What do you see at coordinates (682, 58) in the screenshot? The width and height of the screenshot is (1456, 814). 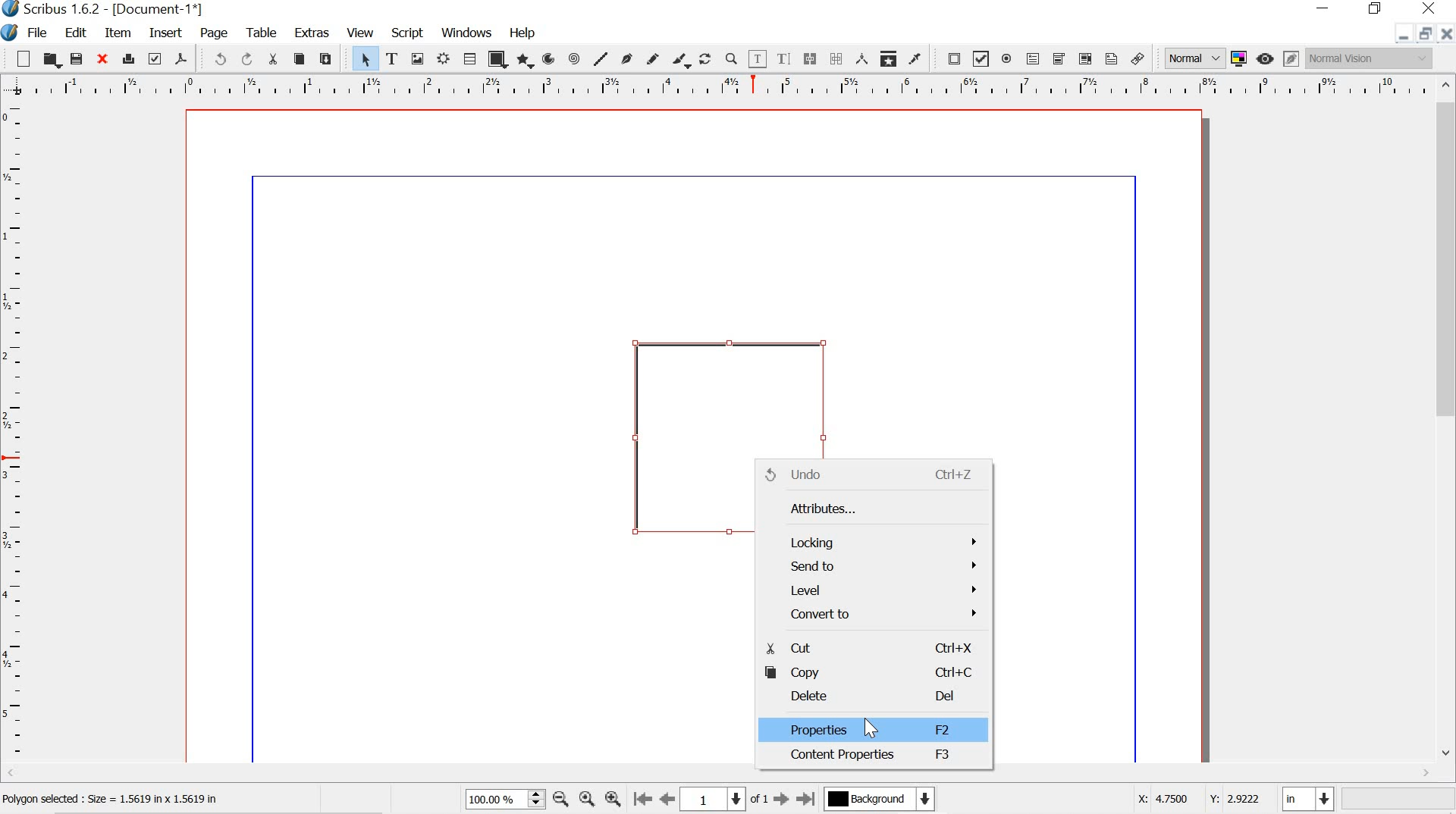 I see `calligraphic line` at bounding box center [682, 58].